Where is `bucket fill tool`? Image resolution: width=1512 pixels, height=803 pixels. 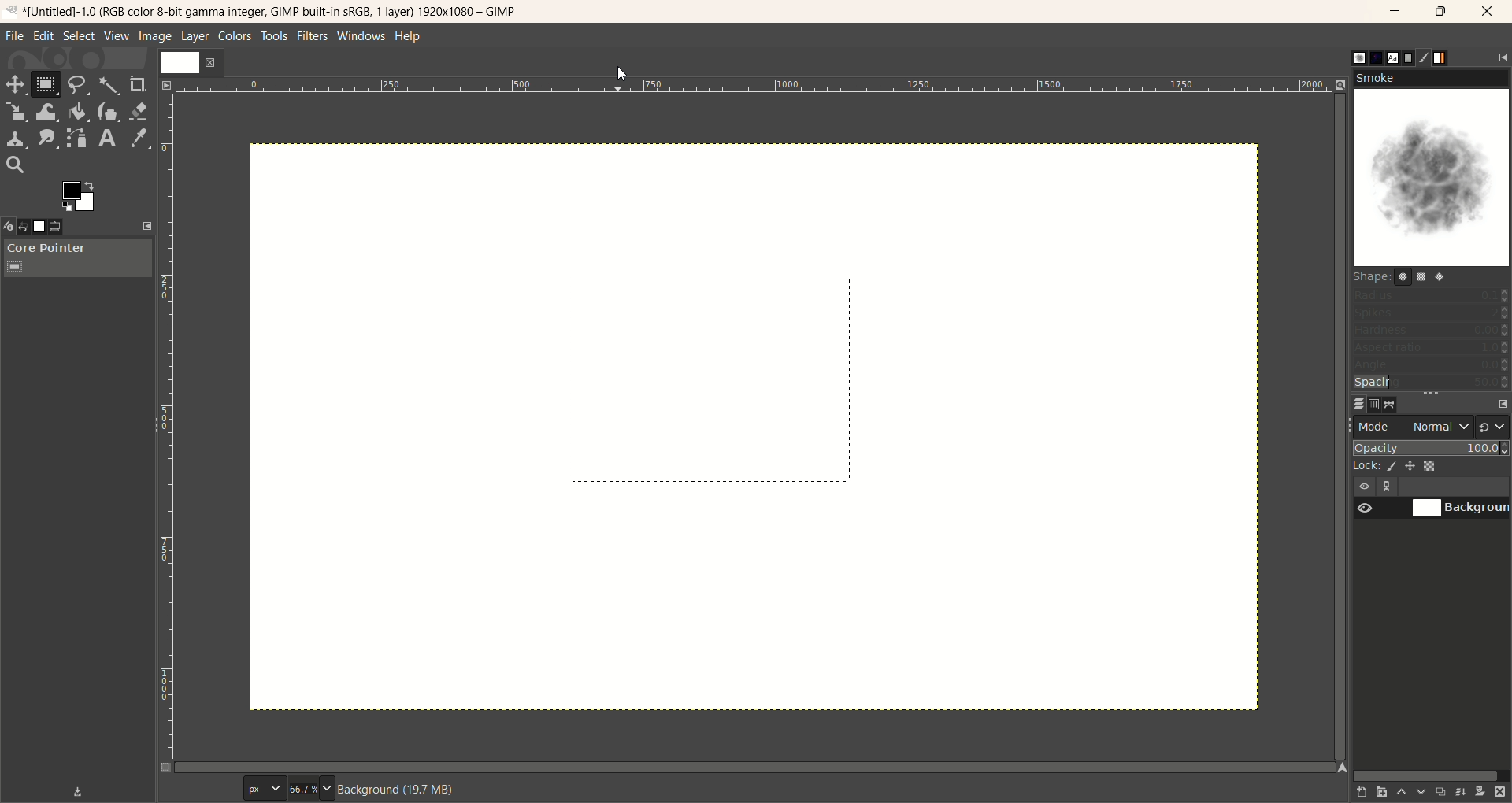 bucket fill tool is located at coordinates (79, 113).